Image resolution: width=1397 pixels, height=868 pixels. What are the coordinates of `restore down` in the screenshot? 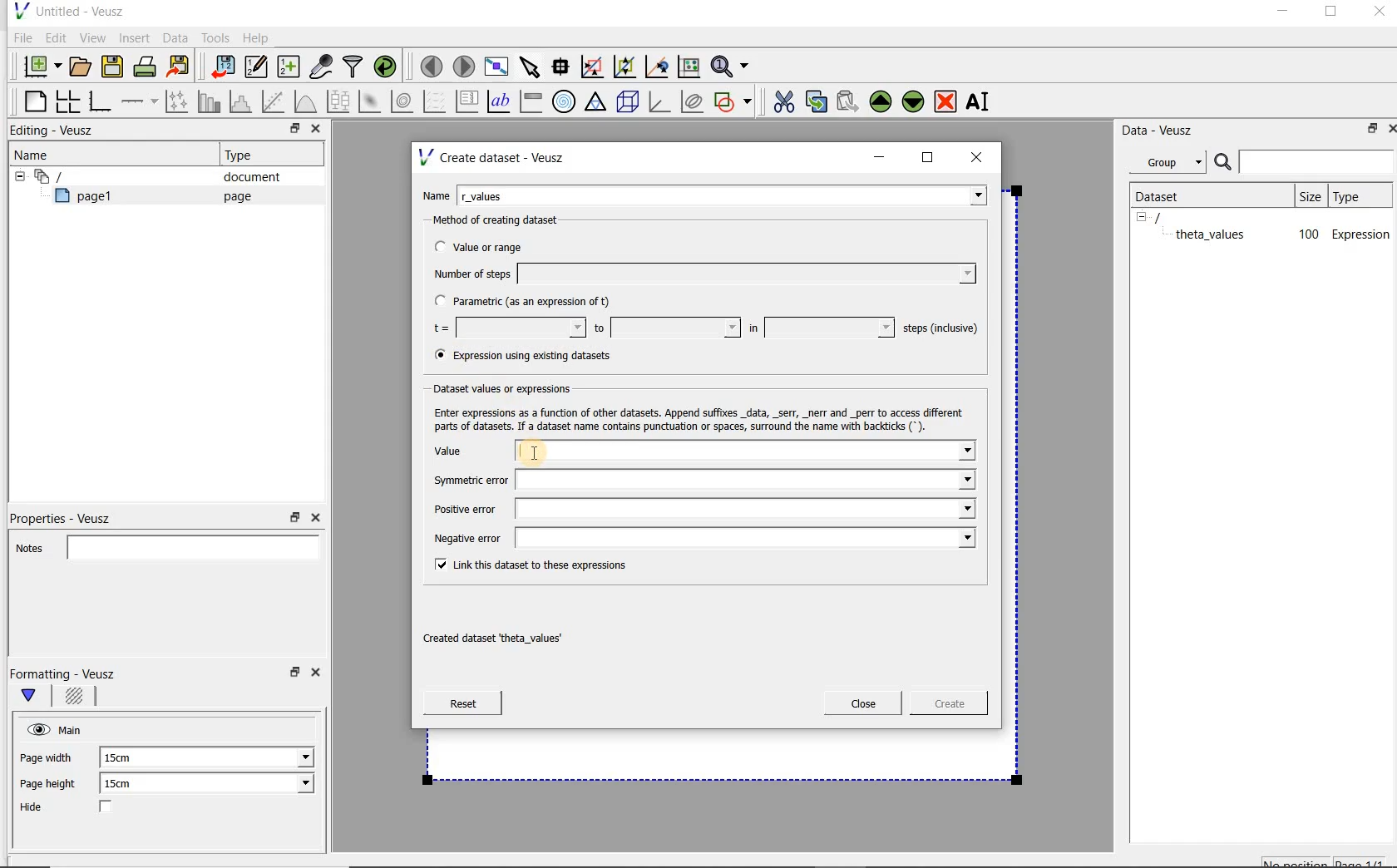 It's located at (1368, 131).